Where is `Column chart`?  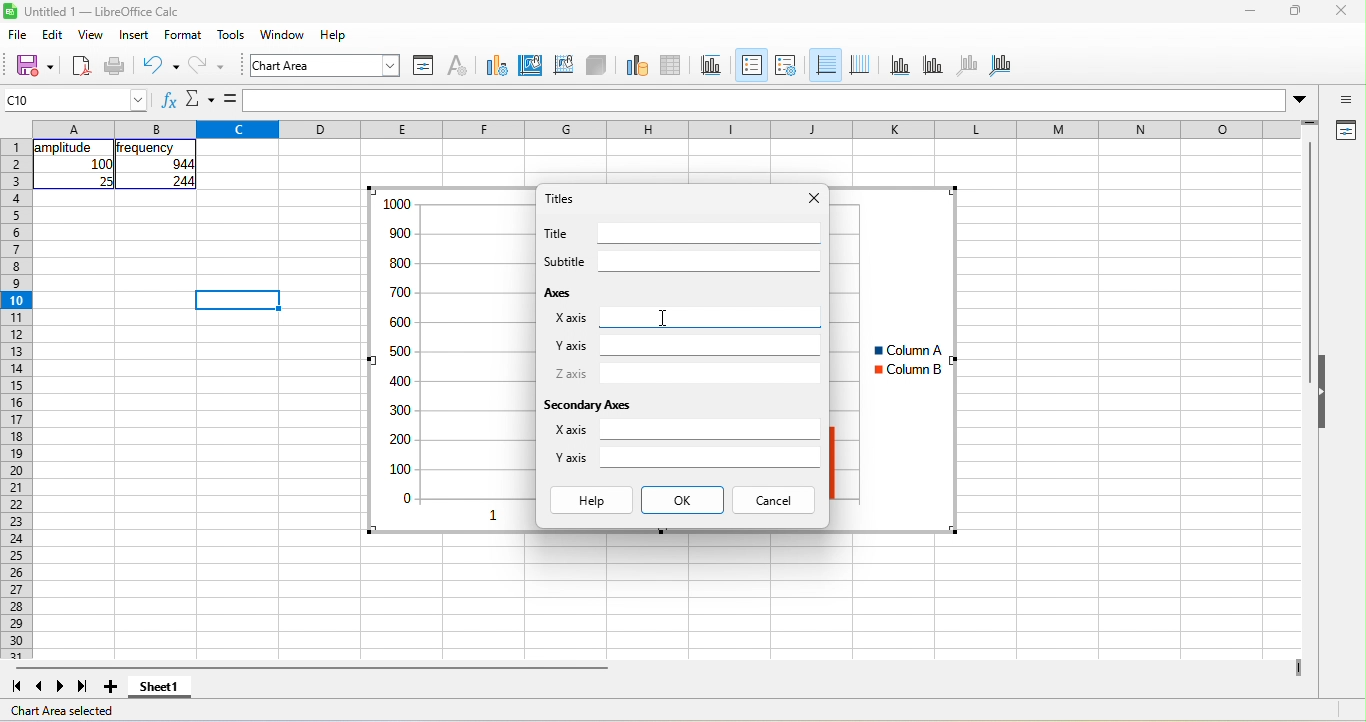 Column chart is located at coordinates (894, 359).